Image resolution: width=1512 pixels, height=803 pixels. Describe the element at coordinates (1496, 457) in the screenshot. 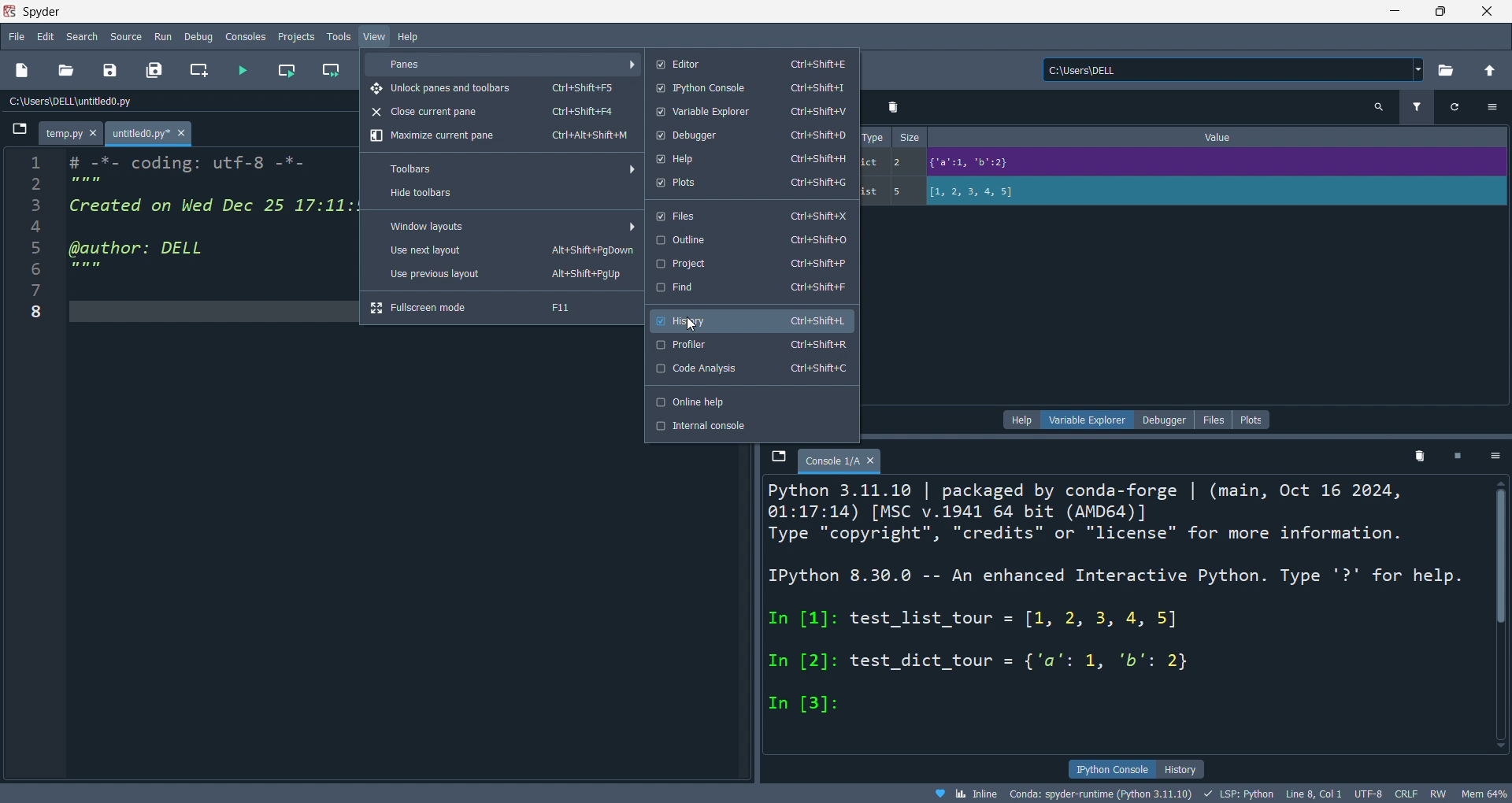

I see `options` at that location.